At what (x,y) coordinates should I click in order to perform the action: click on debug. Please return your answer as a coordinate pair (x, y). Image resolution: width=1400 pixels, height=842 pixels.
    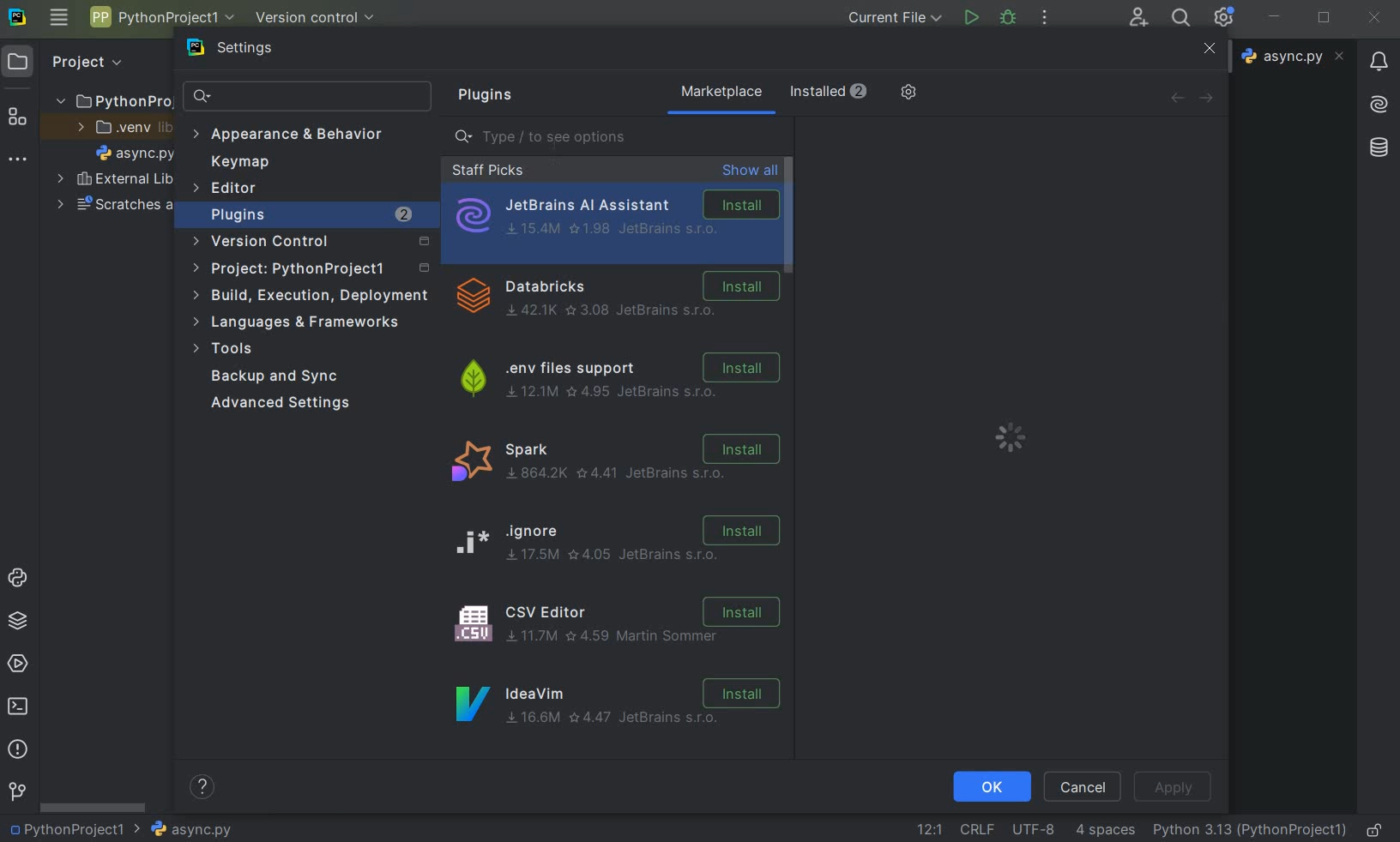
    Looking at the image, I should click on (1010, 20).